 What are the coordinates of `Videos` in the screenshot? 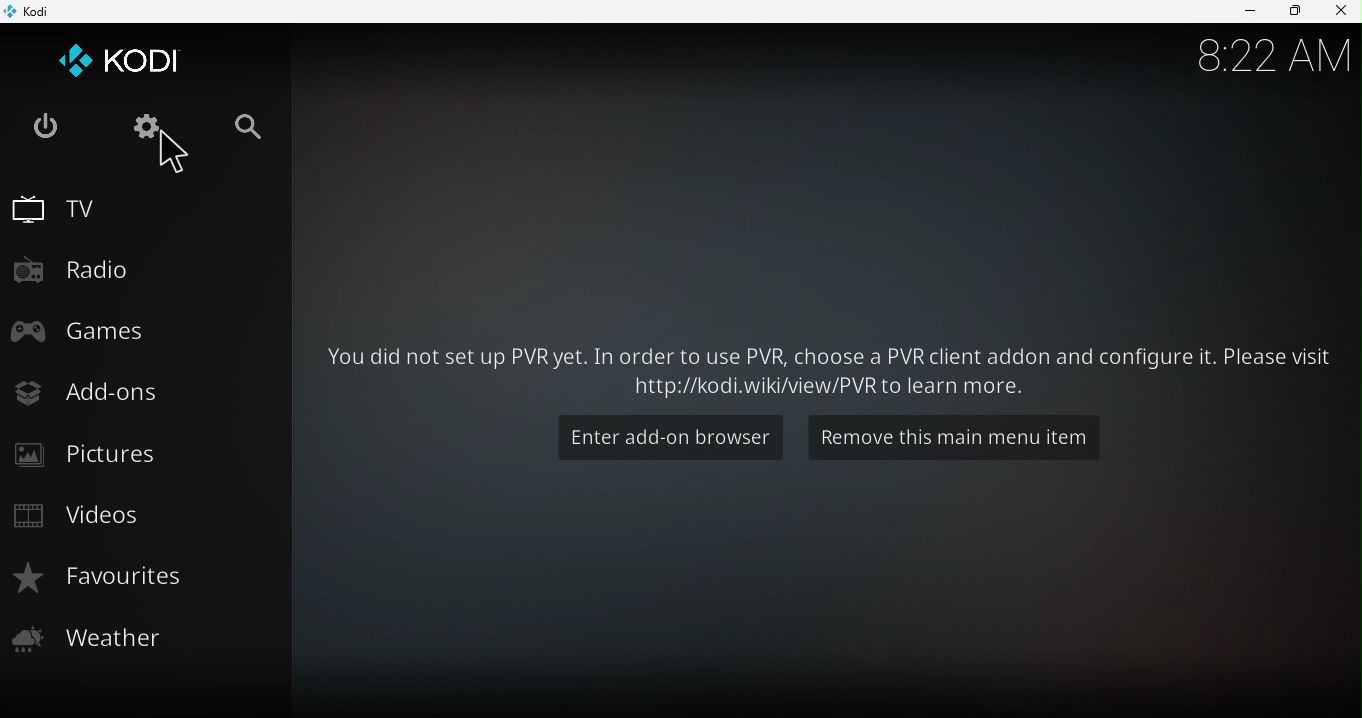 It's located at (139, 516).